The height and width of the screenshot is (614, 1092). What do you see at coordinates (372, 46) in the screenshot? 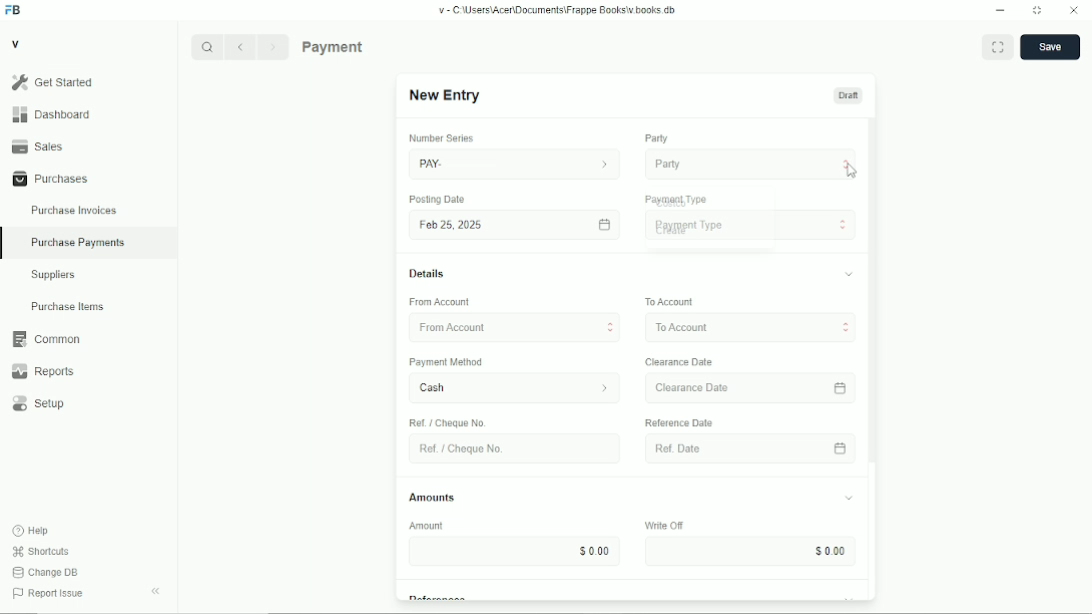
I see `Purchase Payments` at bounding box center [372, 46].